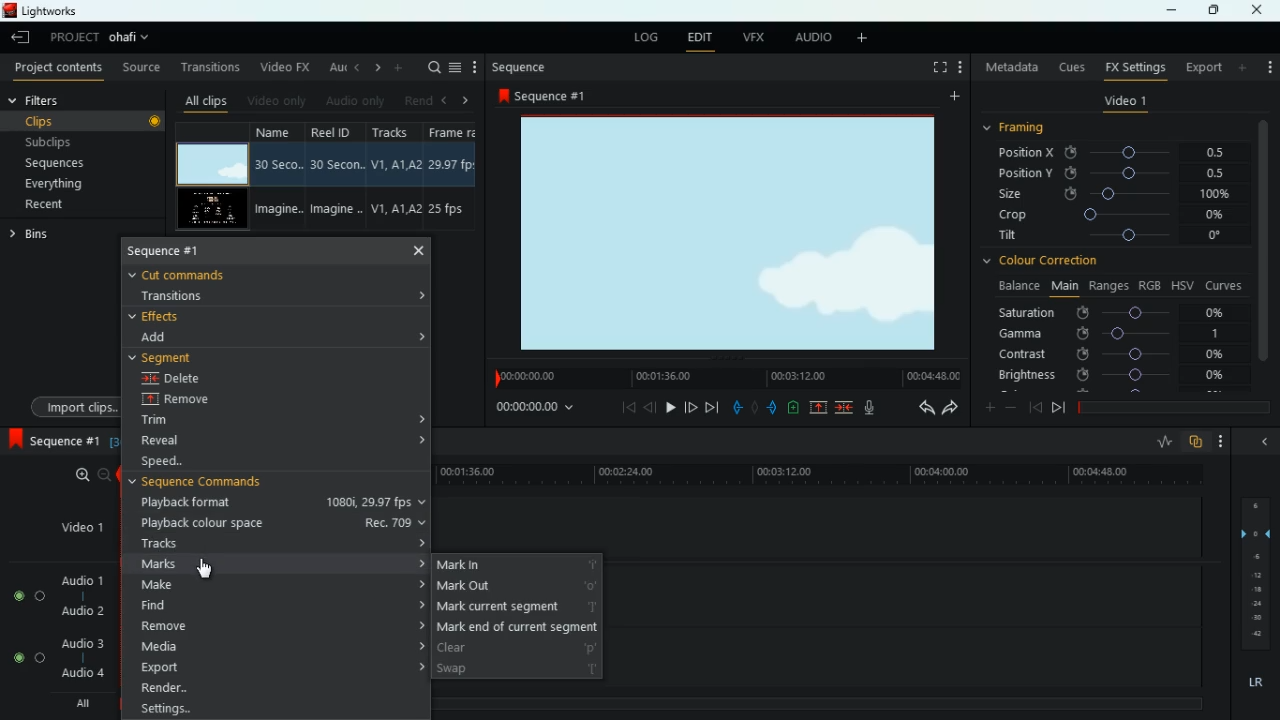  I want to click on video only, so click(274, 101).